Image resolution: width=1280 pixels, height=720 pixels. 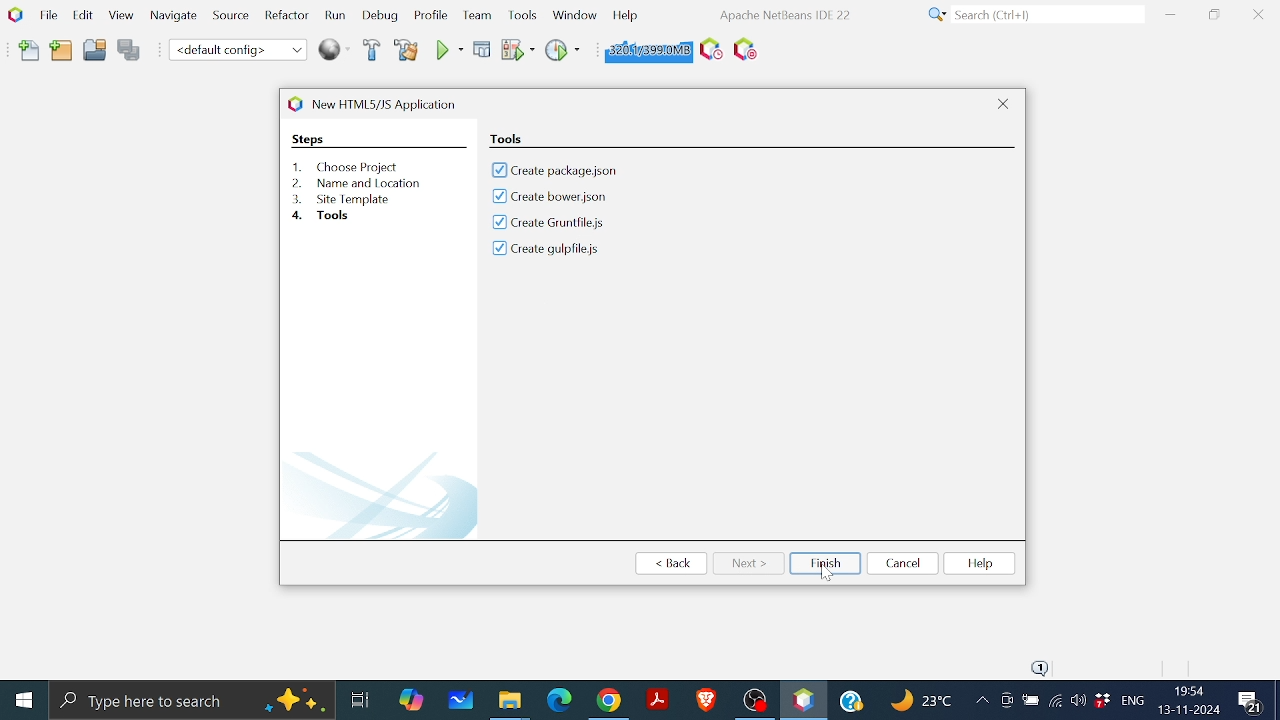 I want to click on Help, so click(x=981, y=565).